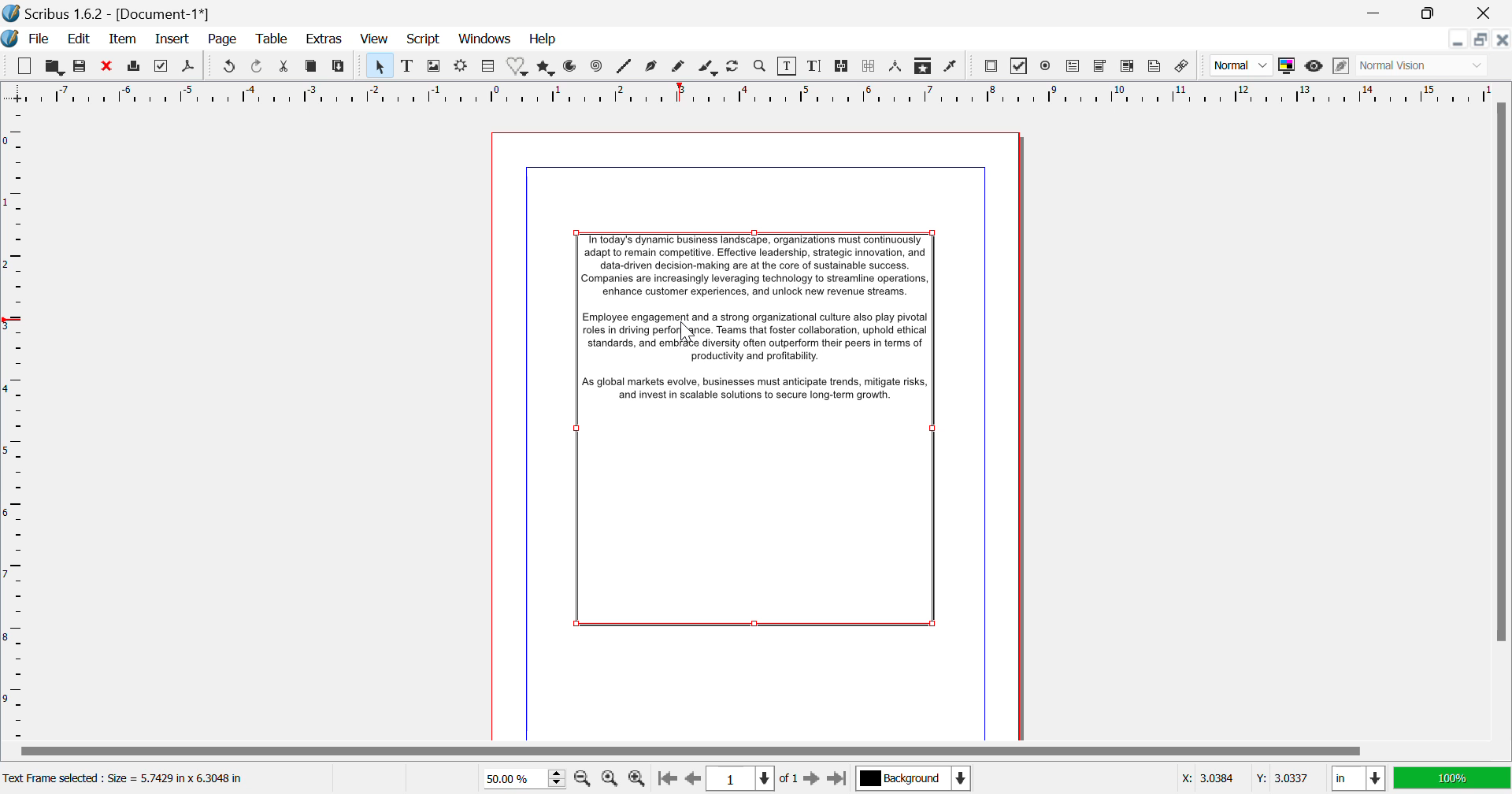  What do you see at coordinates (259, 66) in the screenshot?
I see `Redo` at bounding box center [259, 66].